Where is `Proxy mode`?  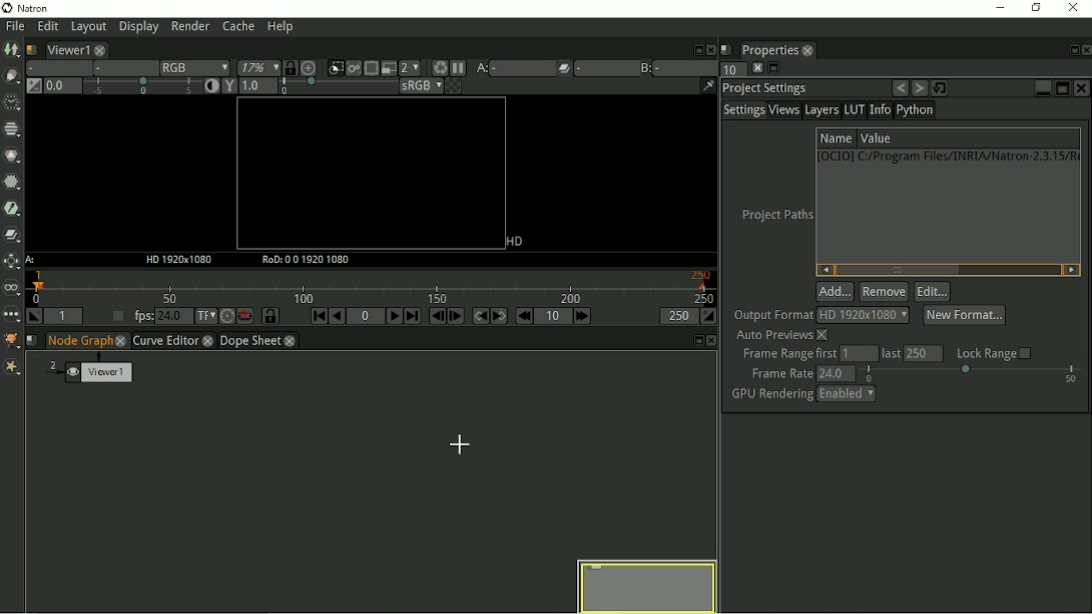
Proxy mode is located at coordinates (387, 67).